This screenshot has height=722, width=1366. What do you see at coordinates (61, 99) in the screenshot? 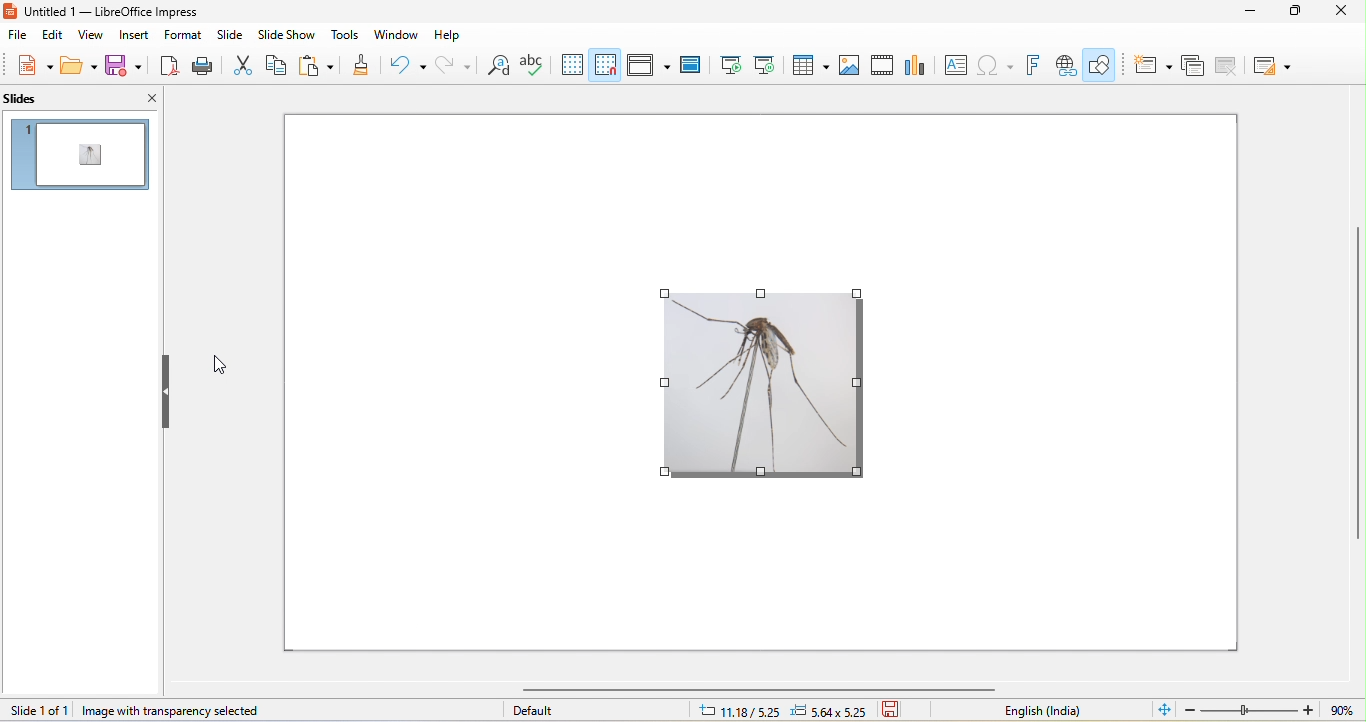
I see `slides` at bounding box center [61, 99].